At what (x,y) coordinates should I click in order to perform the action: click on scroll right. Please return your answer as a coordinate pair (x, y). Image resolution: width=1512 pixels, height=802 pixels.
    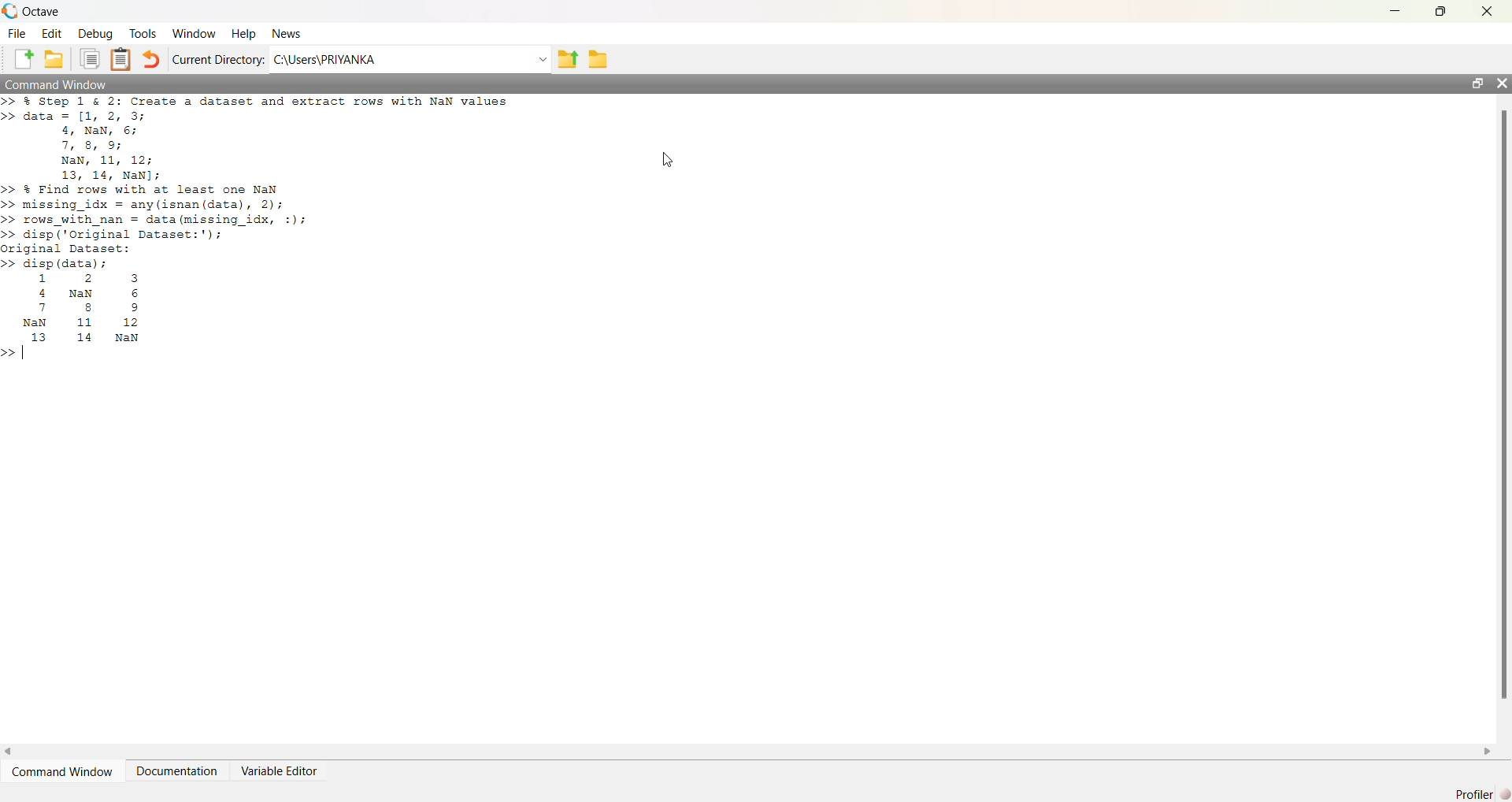
    Looking at the image, I should click on (1488, 752).